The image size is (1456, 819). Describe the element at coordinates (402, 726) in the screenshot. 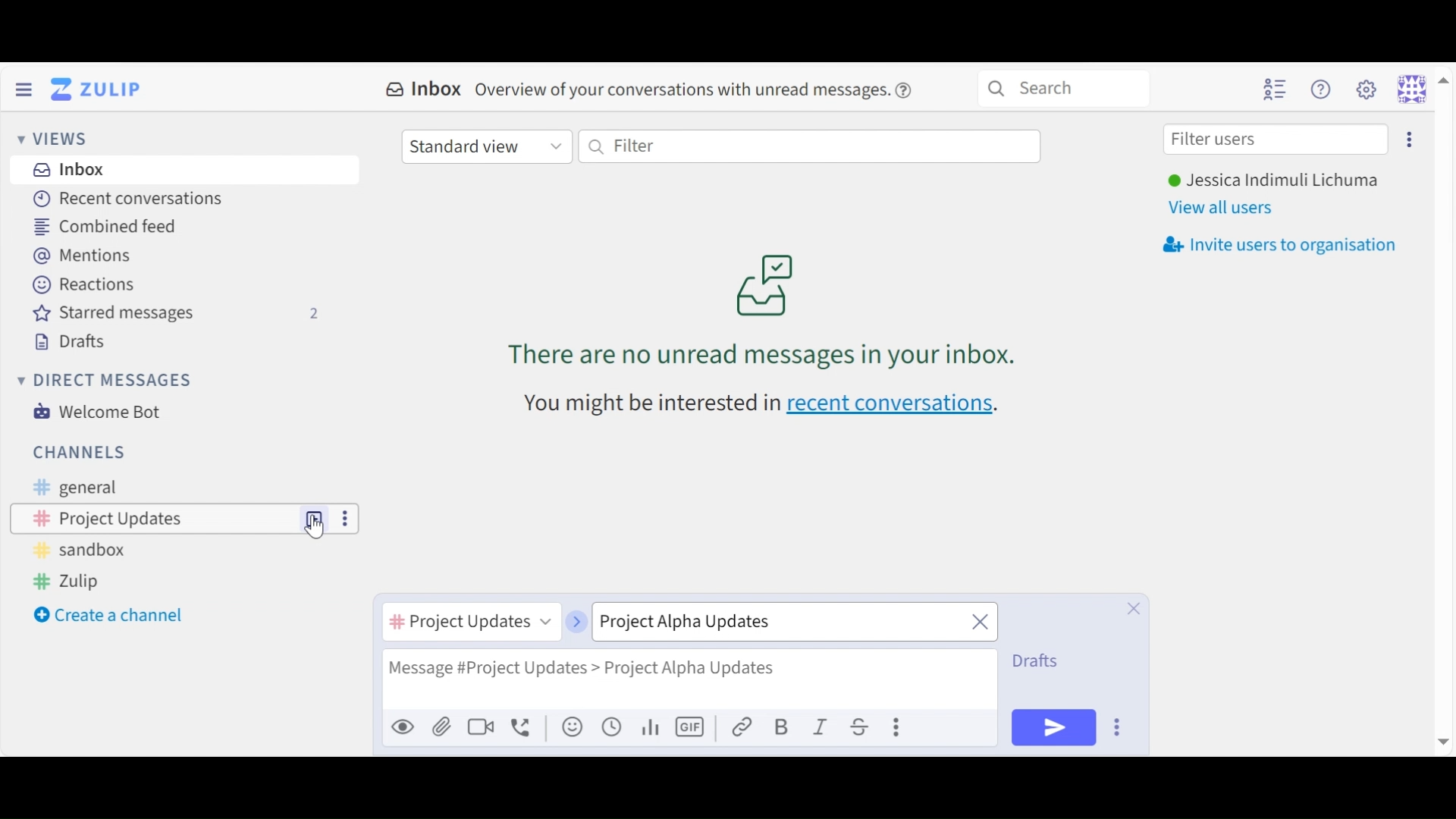

I see `Preview` at that location.